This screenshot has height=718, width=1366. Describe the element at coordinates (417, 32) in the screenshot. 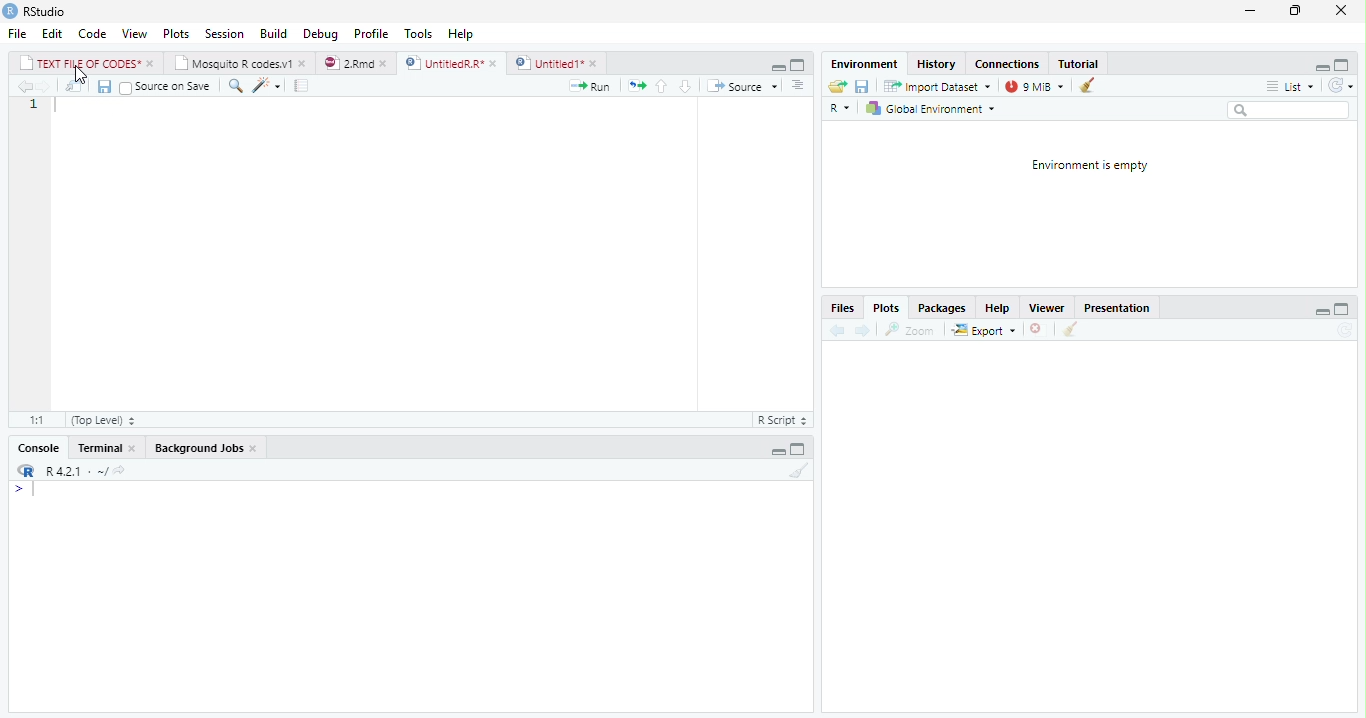

I see `Tools` at that location.